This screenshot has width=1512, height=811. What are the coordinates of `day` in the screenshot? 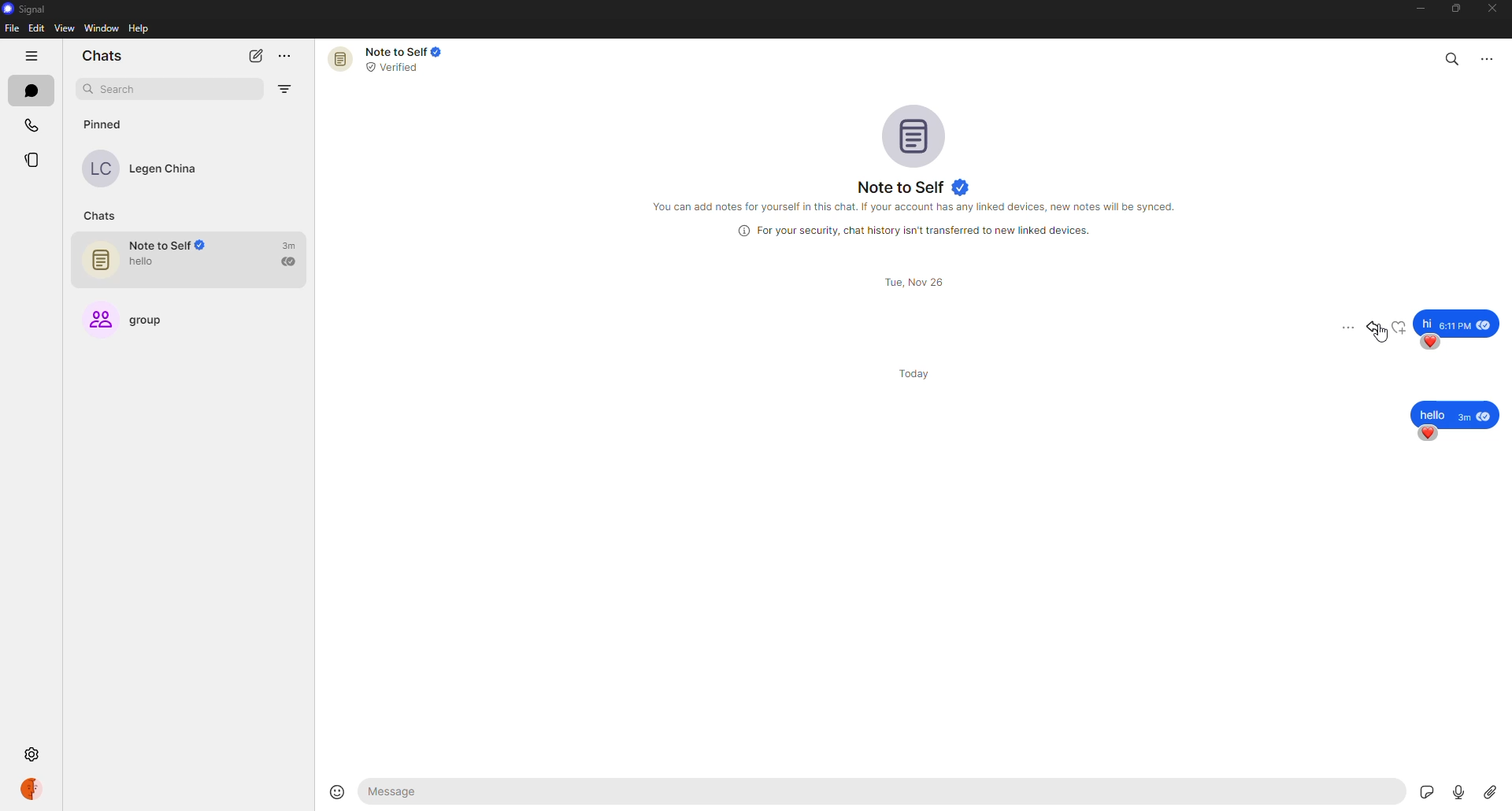 It's located at (920, 372).